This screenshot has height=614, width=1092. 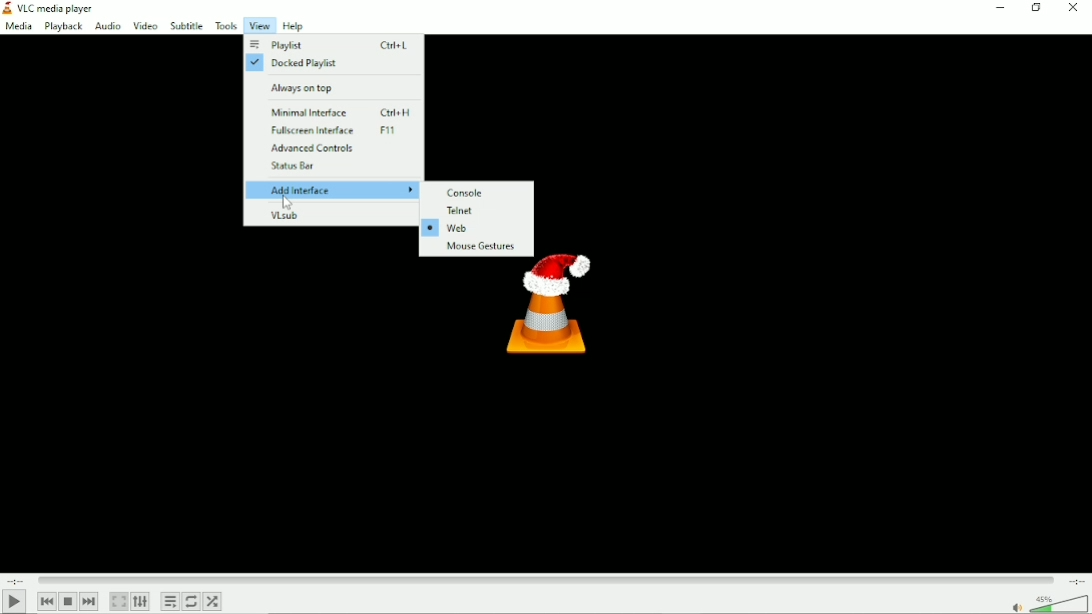 What do you see at coordinates (296, 64) in the screenshot?
I see `Docked playlist` at bounding box center [296, 64].